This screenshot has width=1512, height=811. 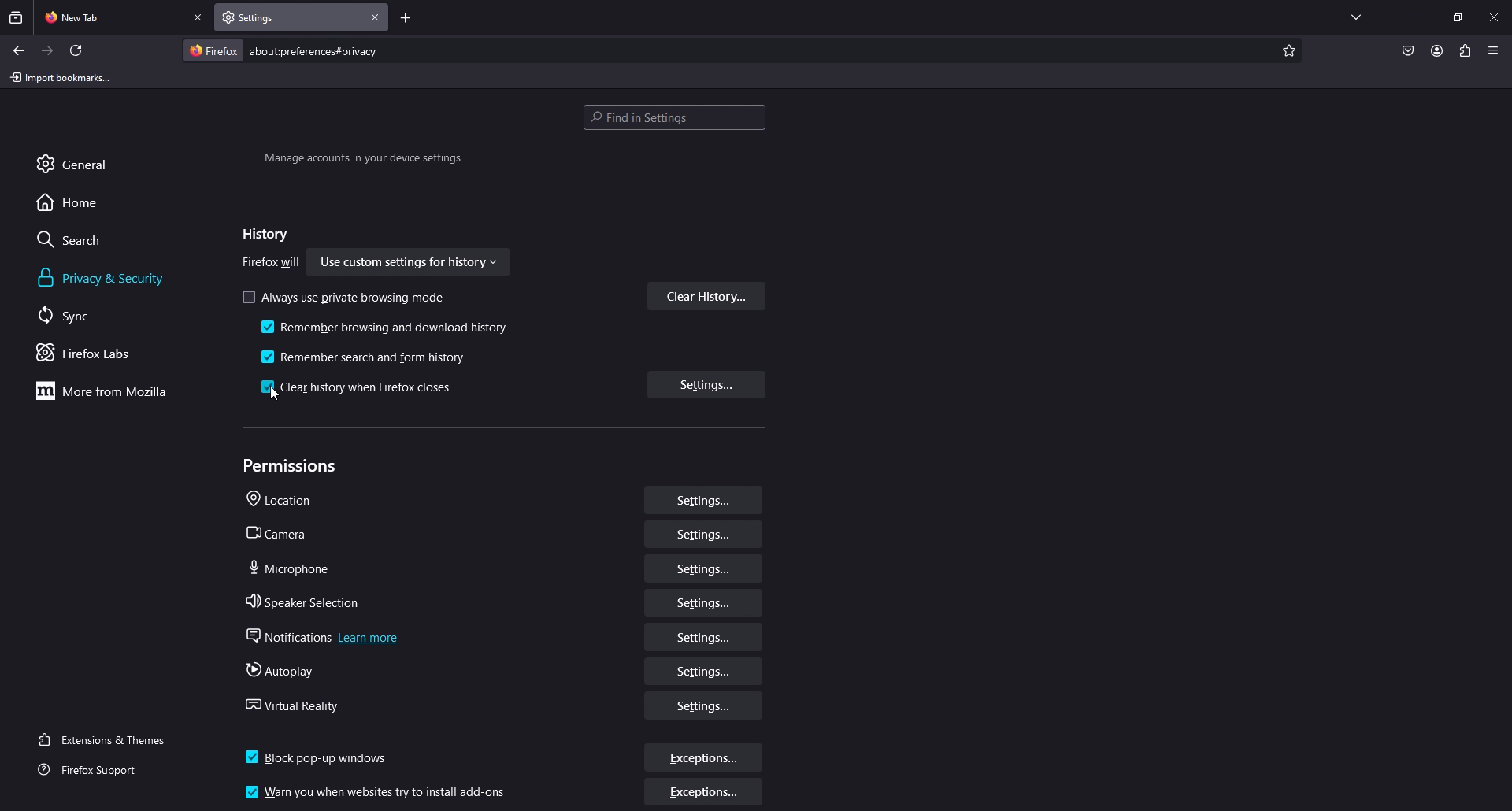 I want to click on import bookmarks, so click(x=64, y=76).